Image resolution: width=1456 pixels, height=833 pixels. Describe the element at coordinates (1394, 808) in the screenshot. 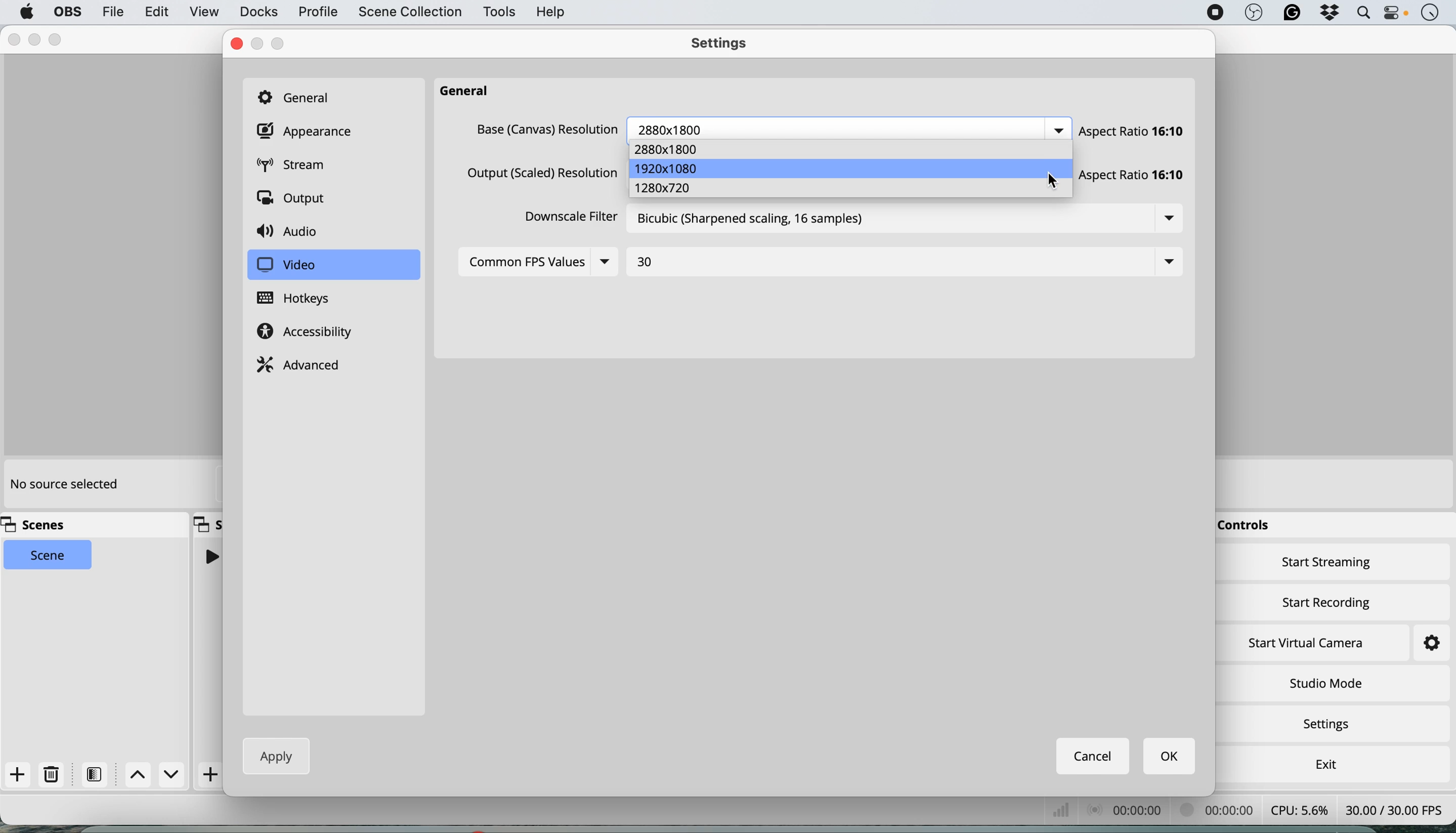

I see `frames per second` at that location.